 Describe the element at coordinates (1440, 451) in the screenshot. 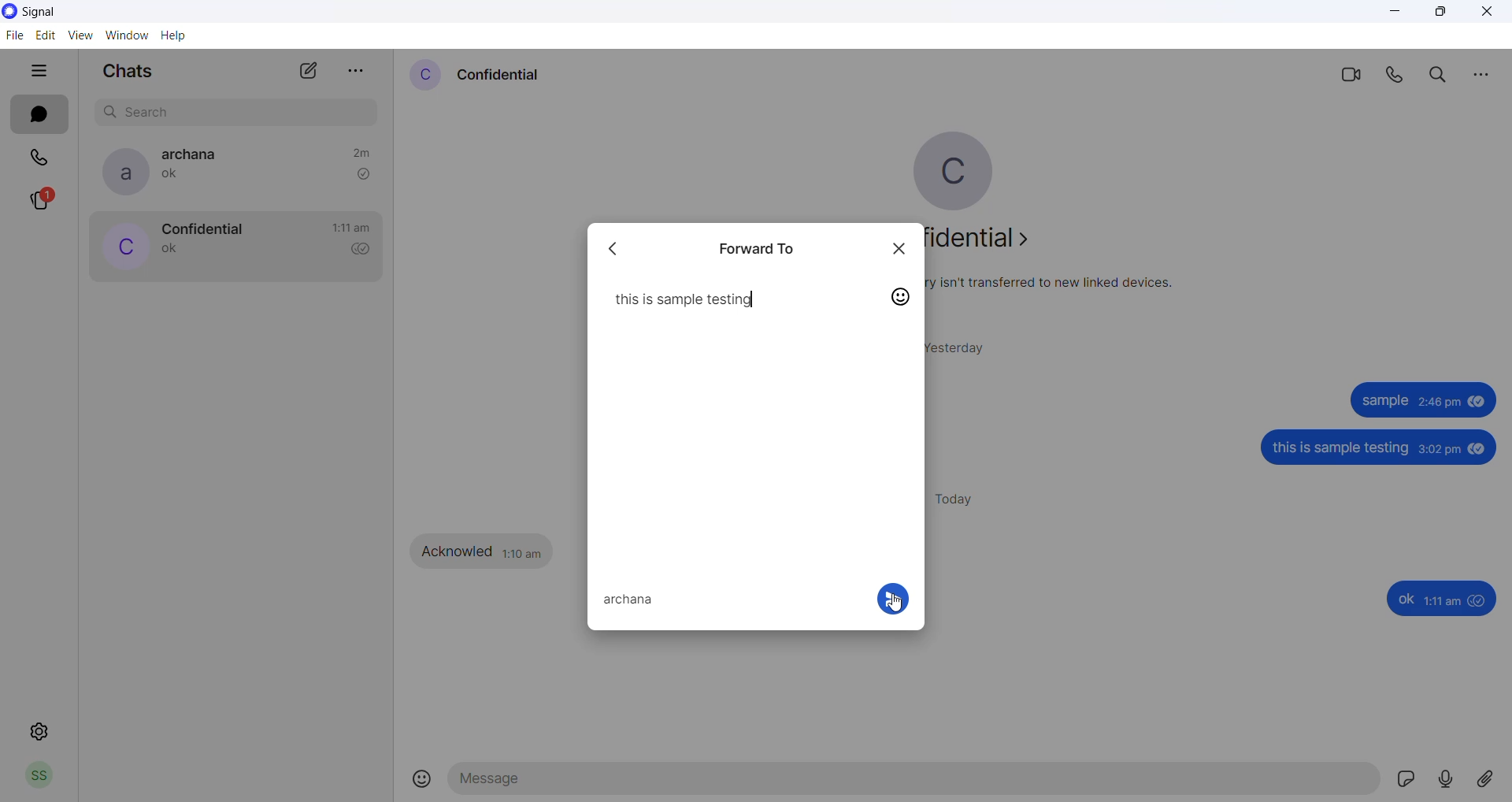

I see `3:02 pm` at that location.